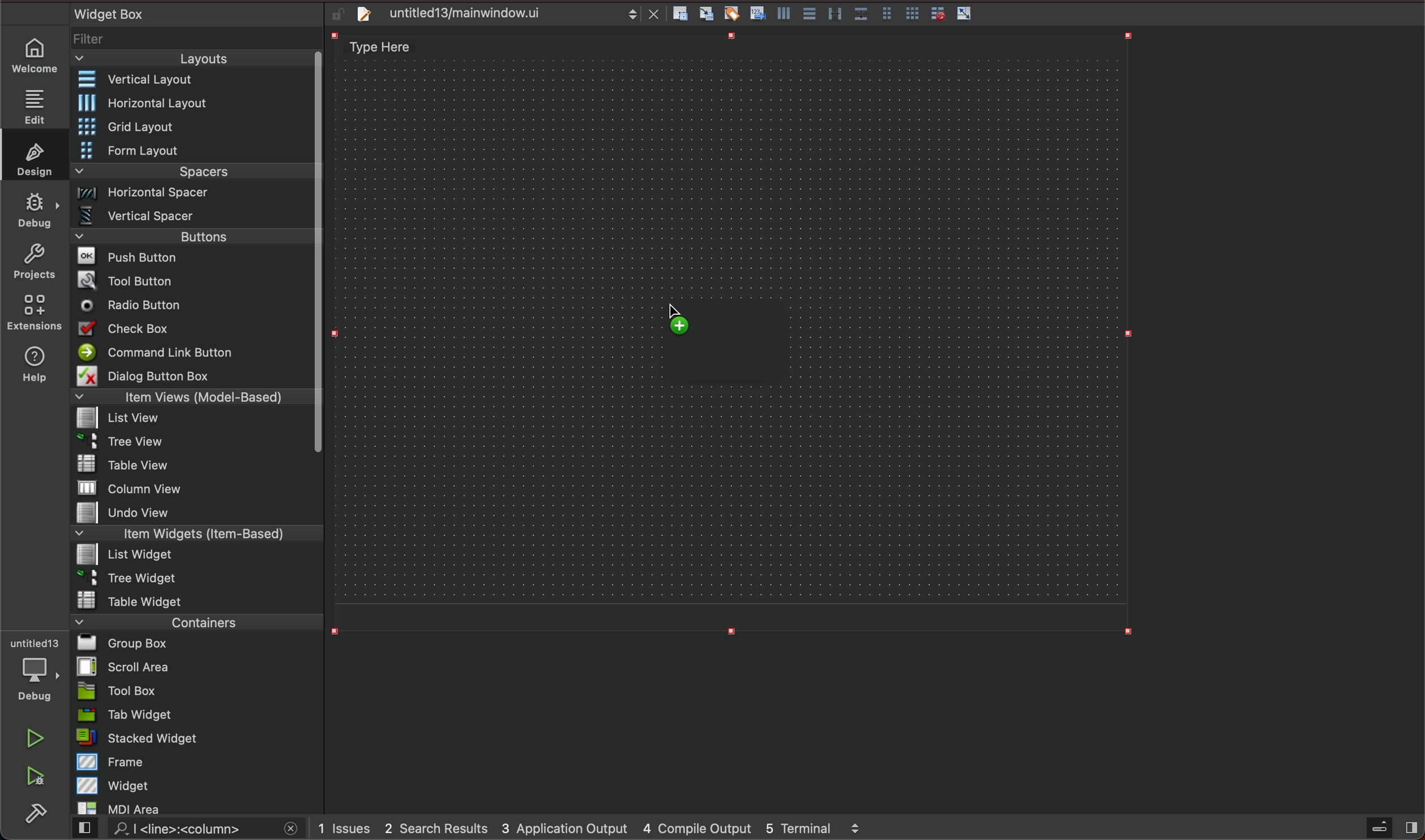 Image resolution: width=1425 pixels, height=840 pixels. I want to click on MDI Area, so click(190, 808).